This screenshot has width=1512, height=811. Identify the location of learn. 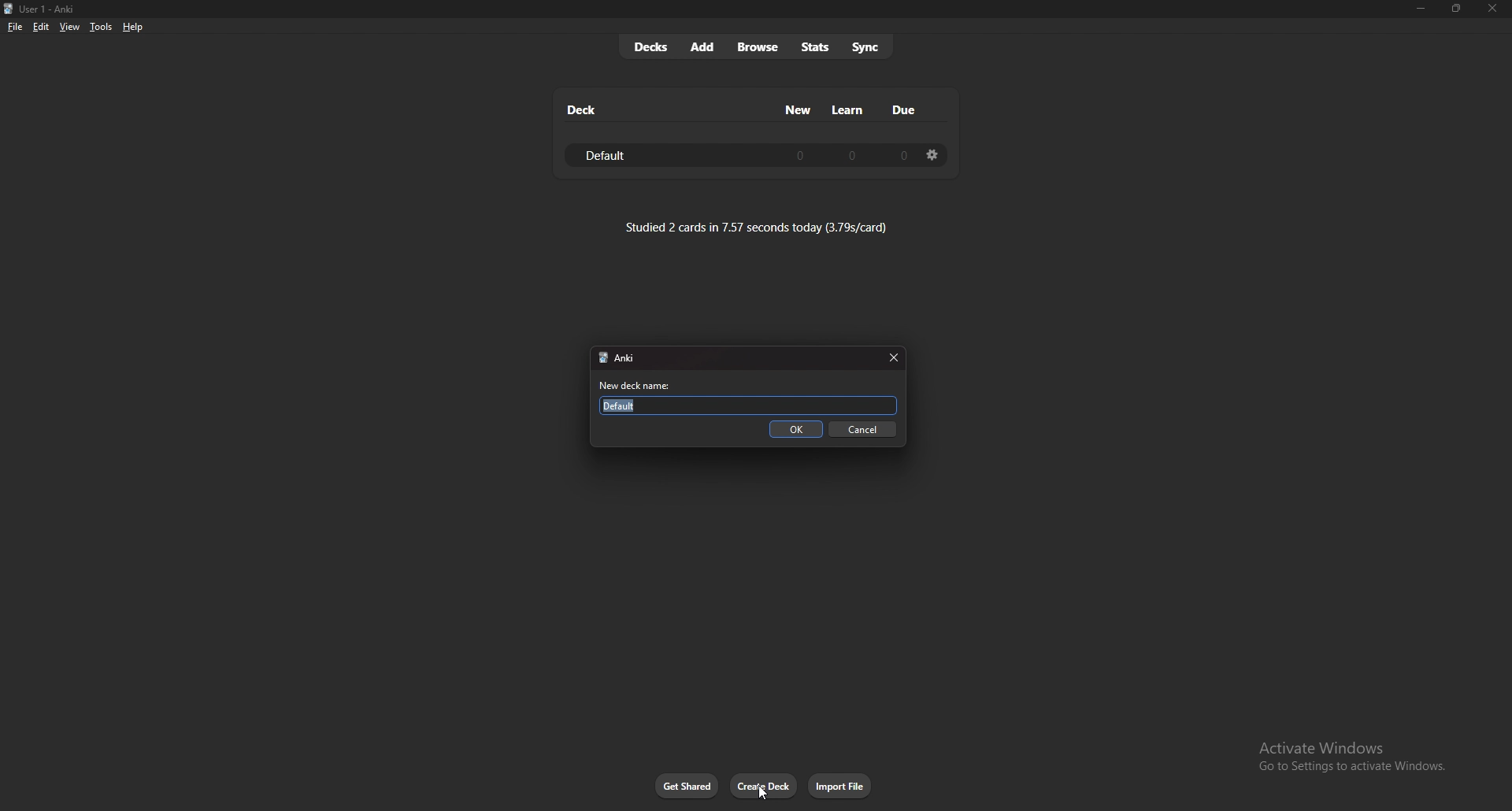
(848, 110).